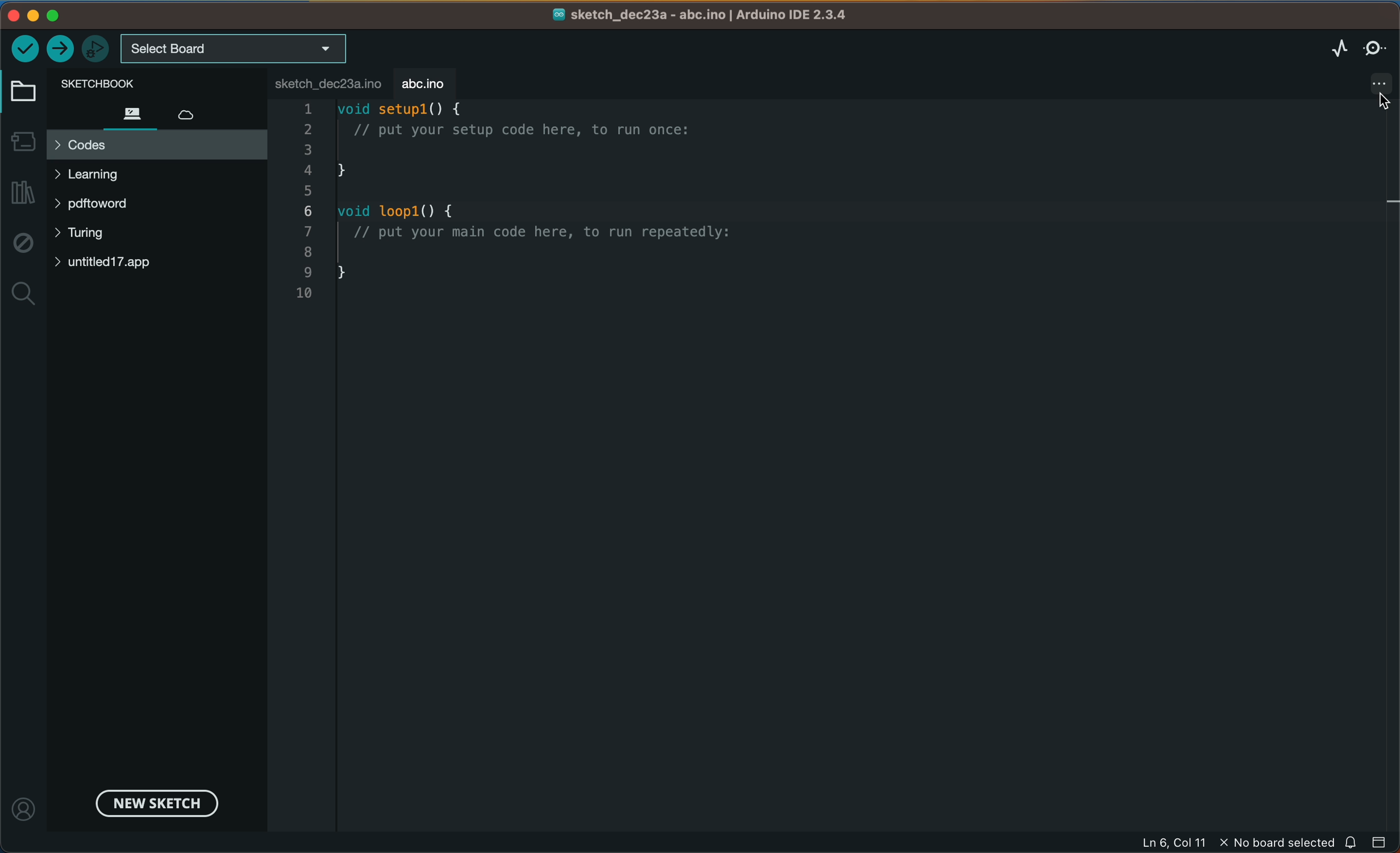 The image size is (1400, 853). What do you see at coordinates (1382, 842) in the screenshot?
I see `close slide bar` at bounding box center [1382, 842].